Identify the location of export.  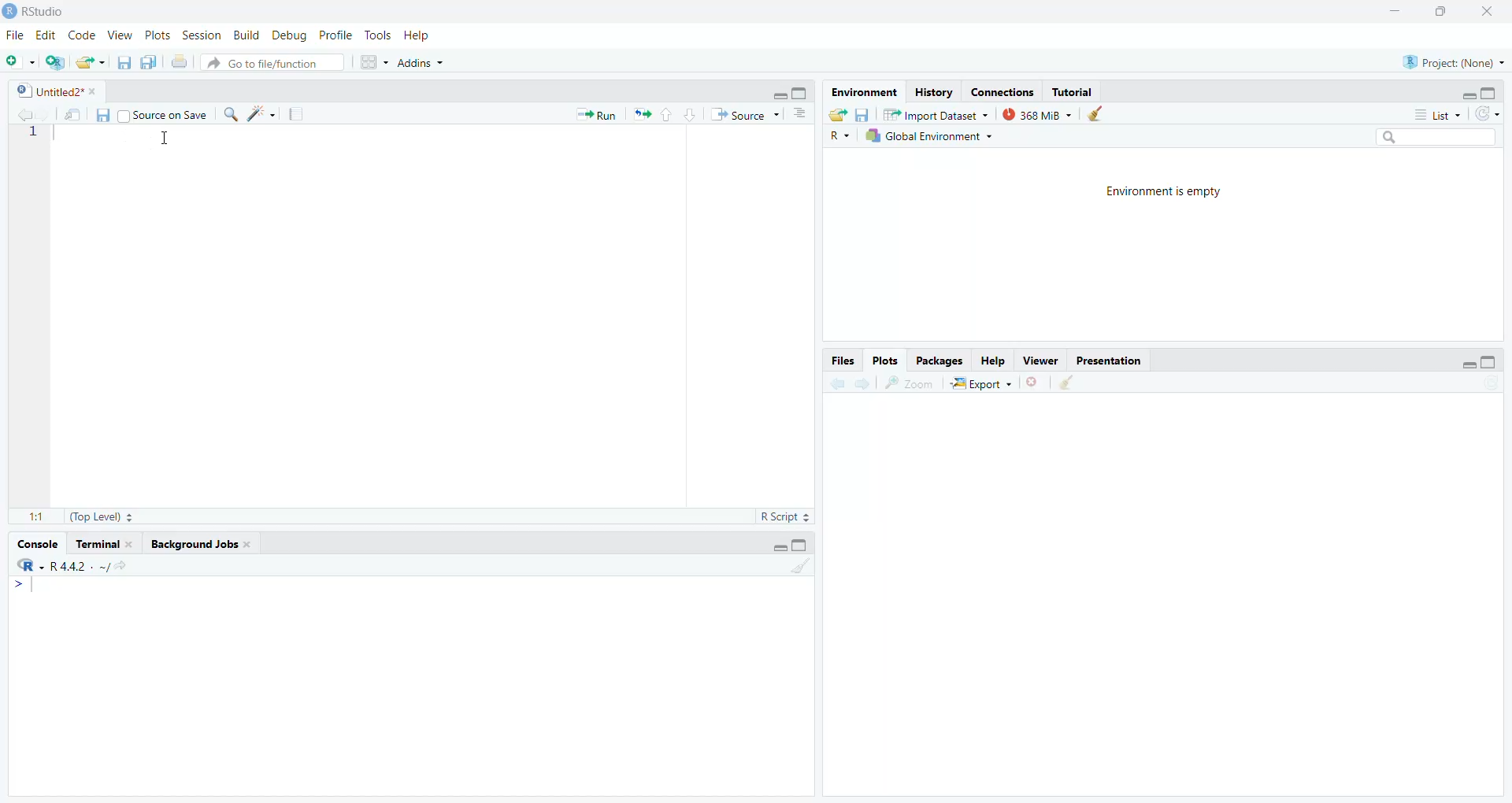
(646, 117).